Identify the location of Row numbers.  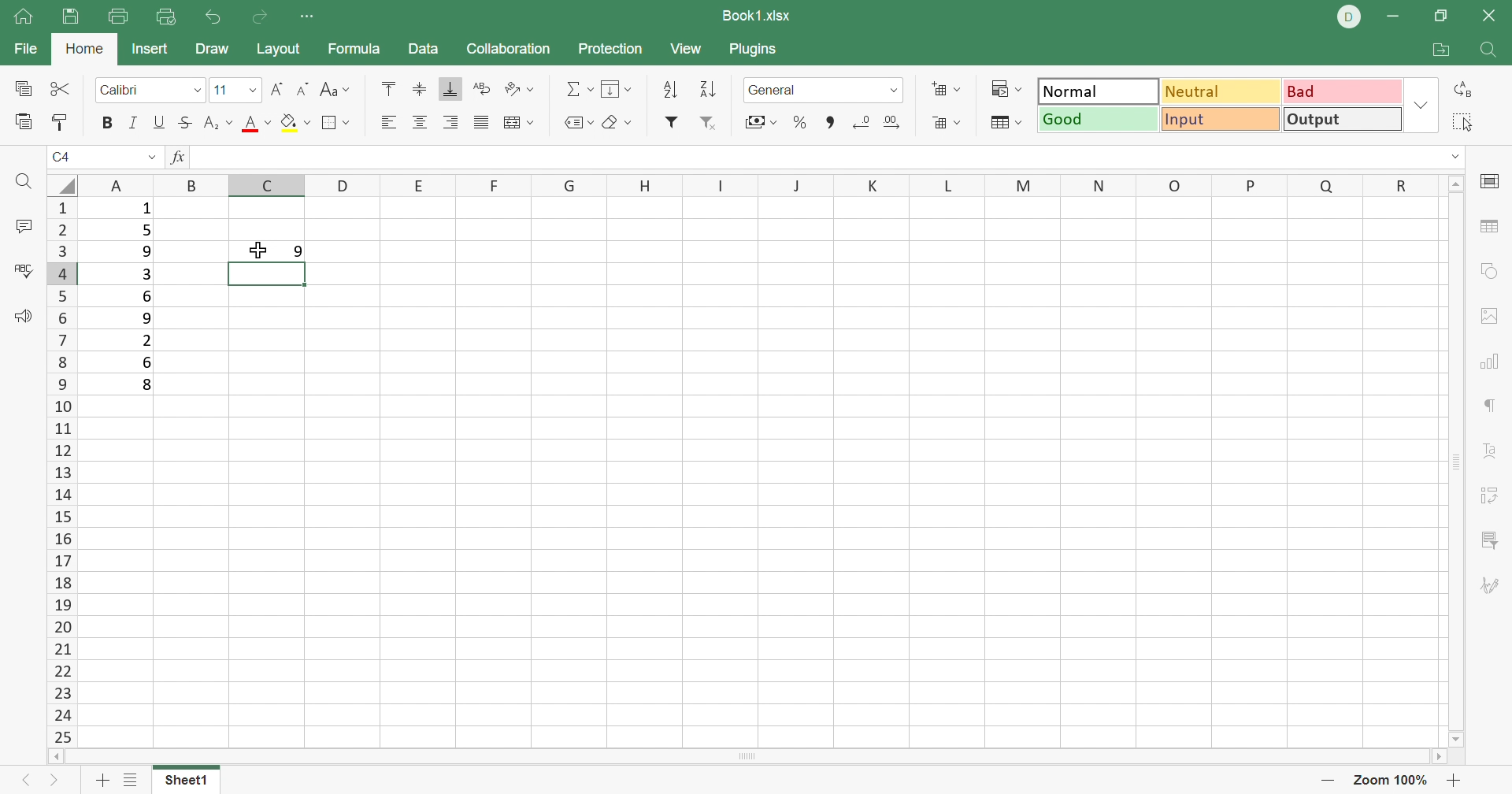
(64, 471).